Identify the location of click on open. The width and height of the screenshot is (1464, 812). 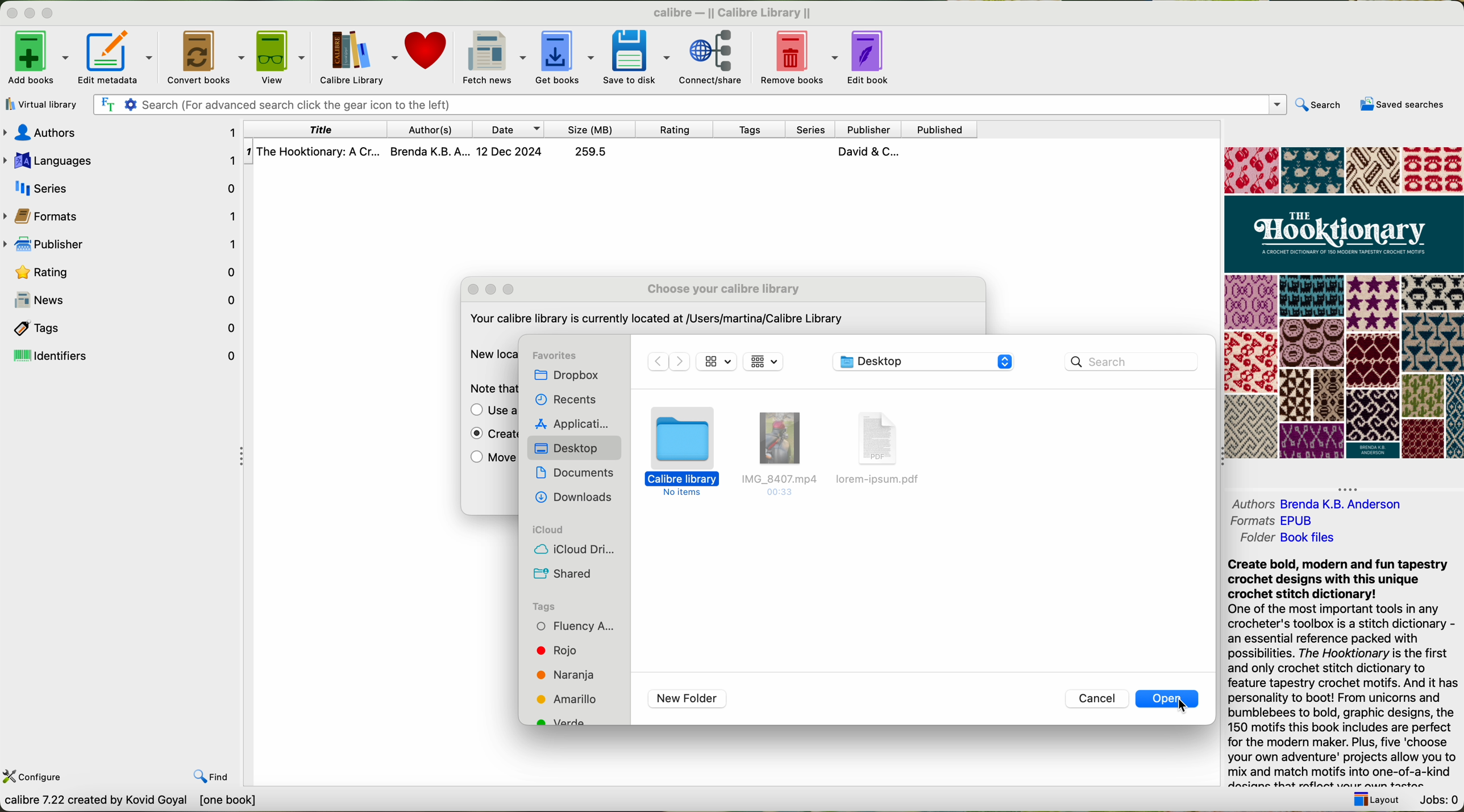
(1168, 701).